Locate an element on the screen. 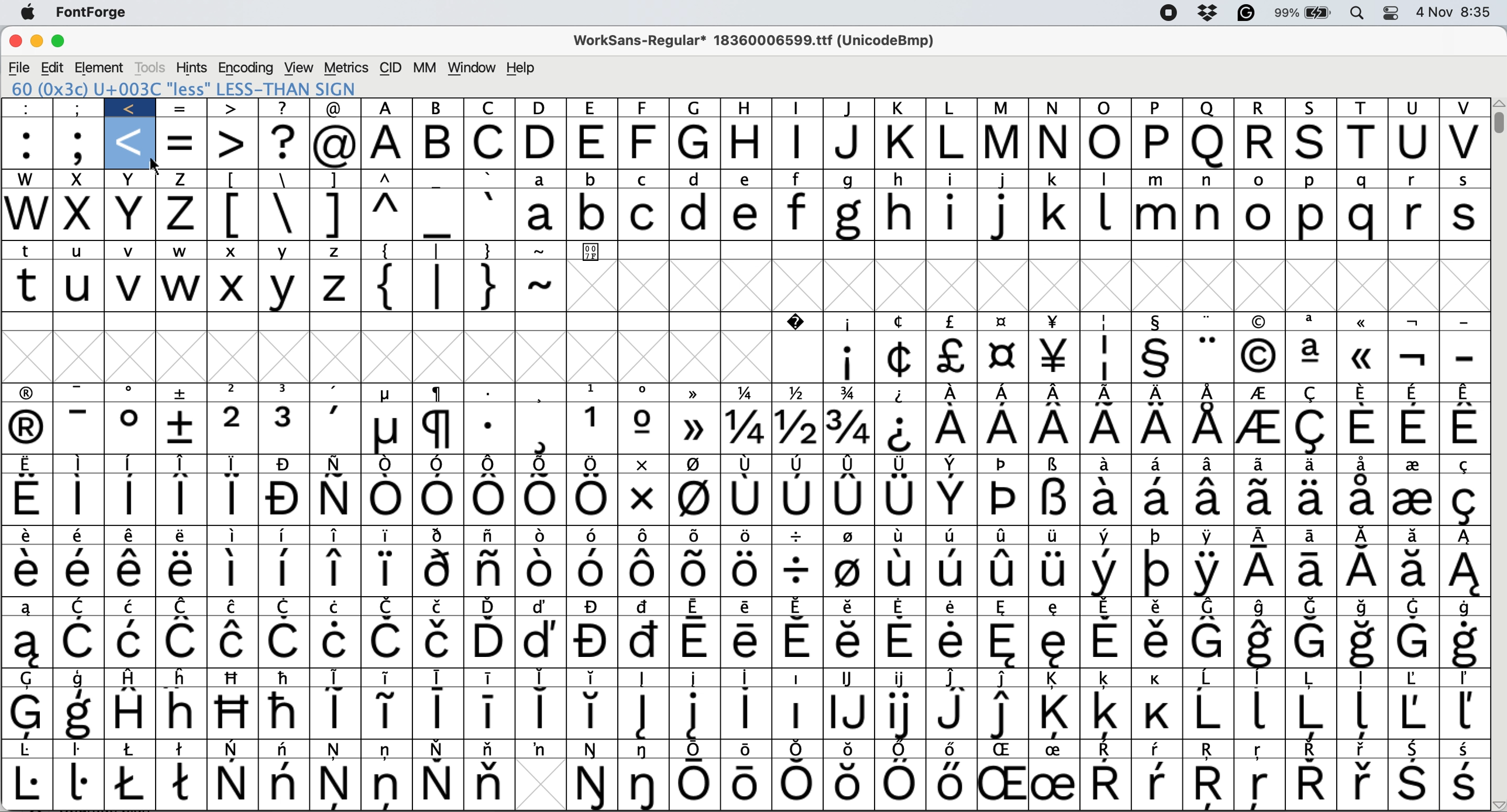 The image size is (1507, 812). Symbol is located at coordinates (848, 606).